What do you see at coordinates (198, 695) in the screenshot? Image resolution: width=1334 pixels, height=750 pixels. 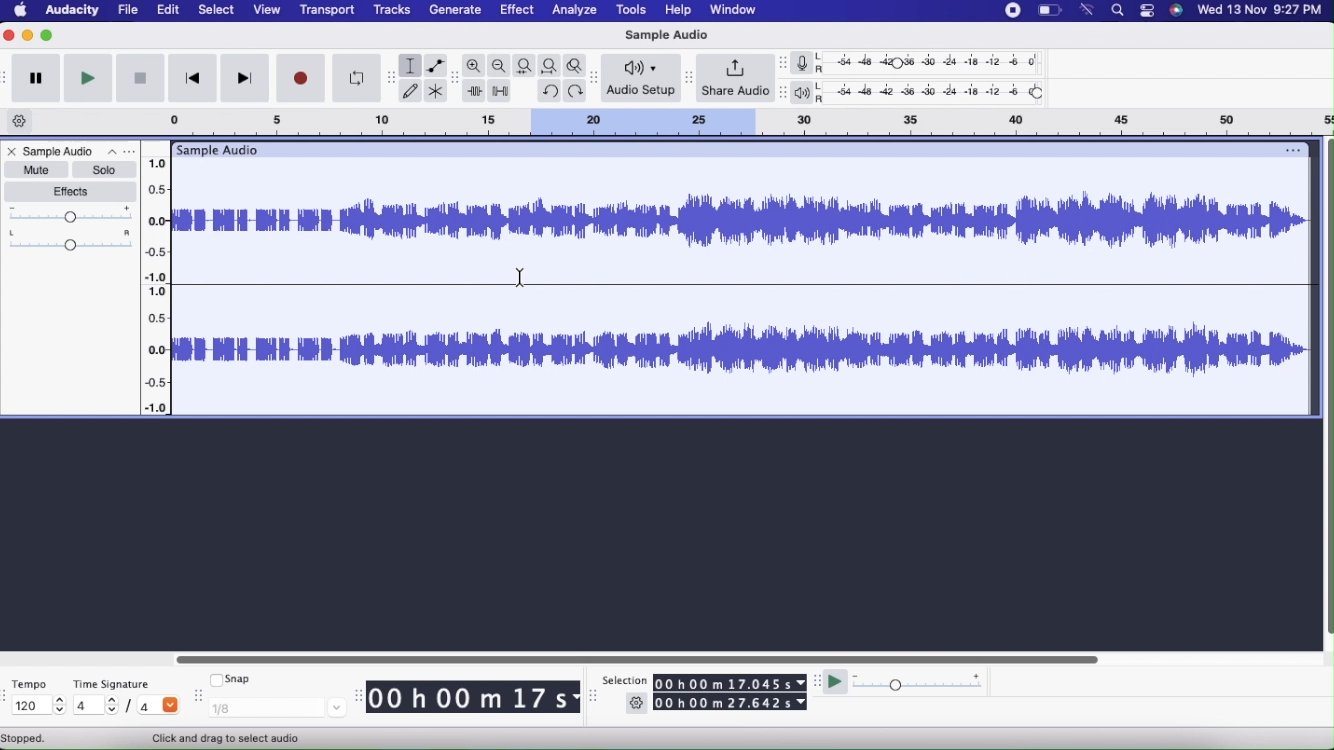 I see `move toolbar` at bounding box center [198, 695].